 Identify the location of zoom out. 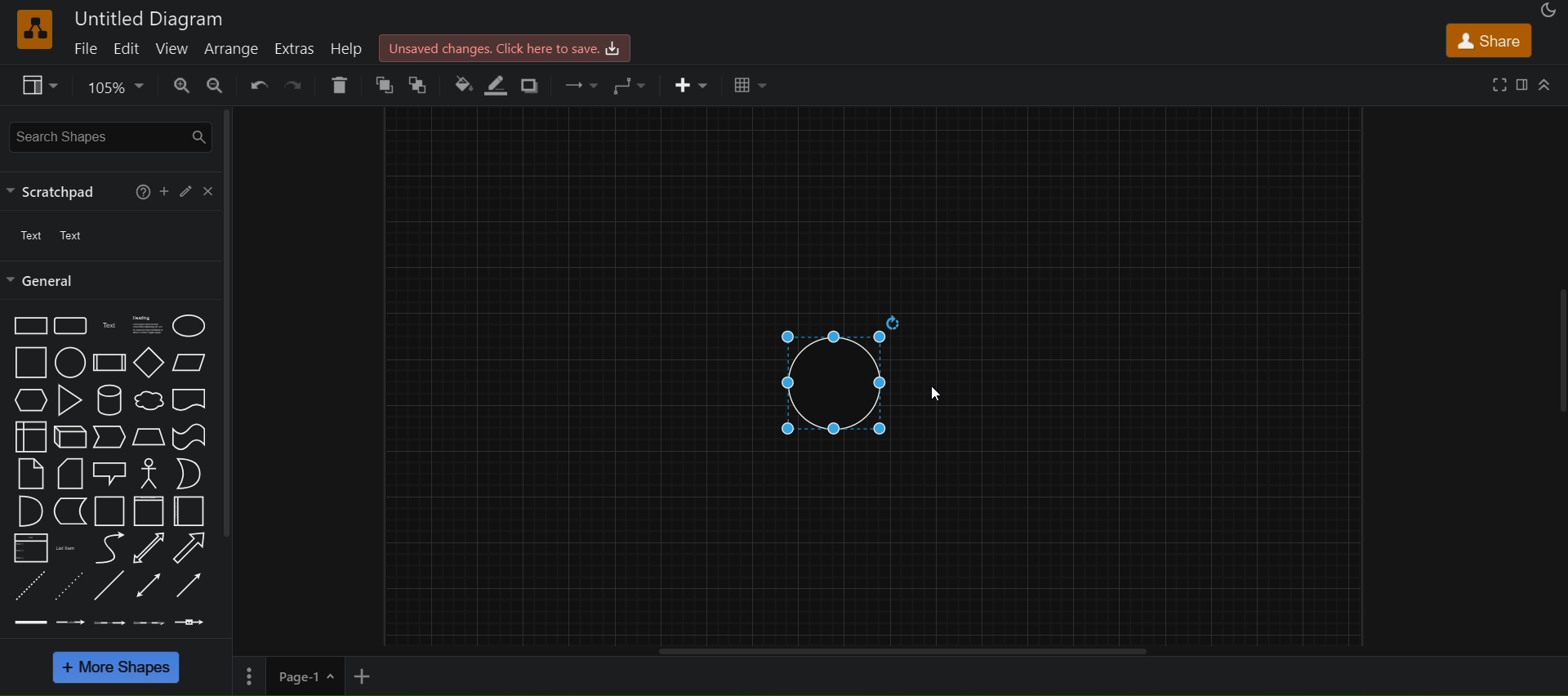
(216, 85).